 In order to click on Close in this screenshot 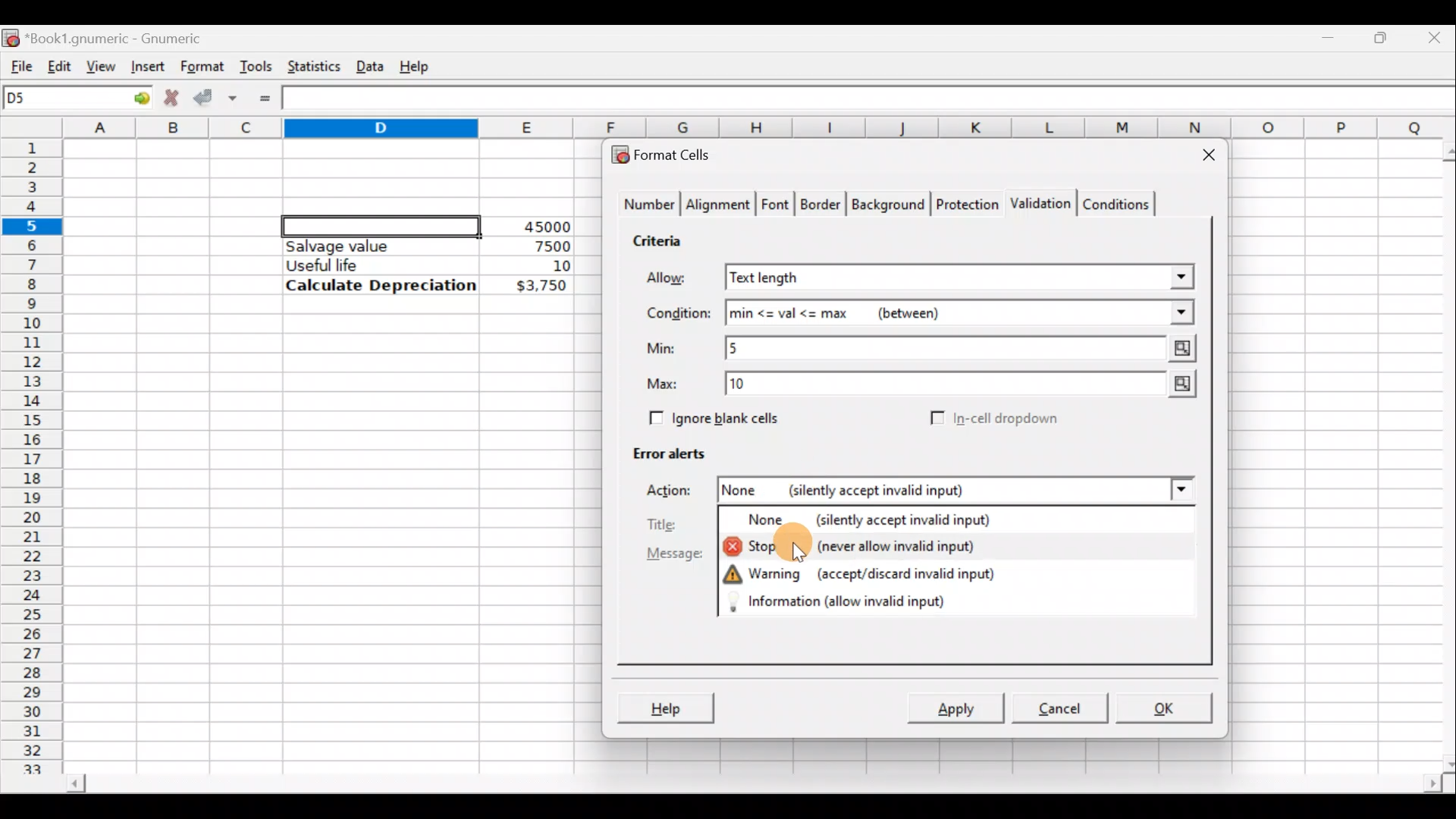, I will do `click(1202, 158)`.